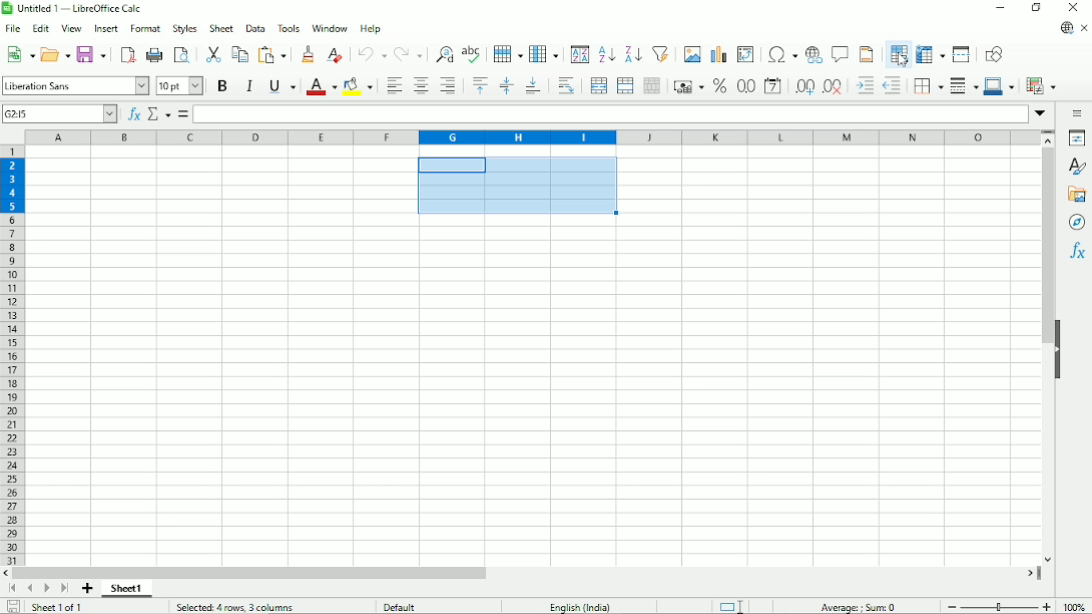 This screenshot has height=614, width=1092. What do you see at coordinates (42, 28) in the screenshot?
I see `Edit` at bounding box center [42, 28].